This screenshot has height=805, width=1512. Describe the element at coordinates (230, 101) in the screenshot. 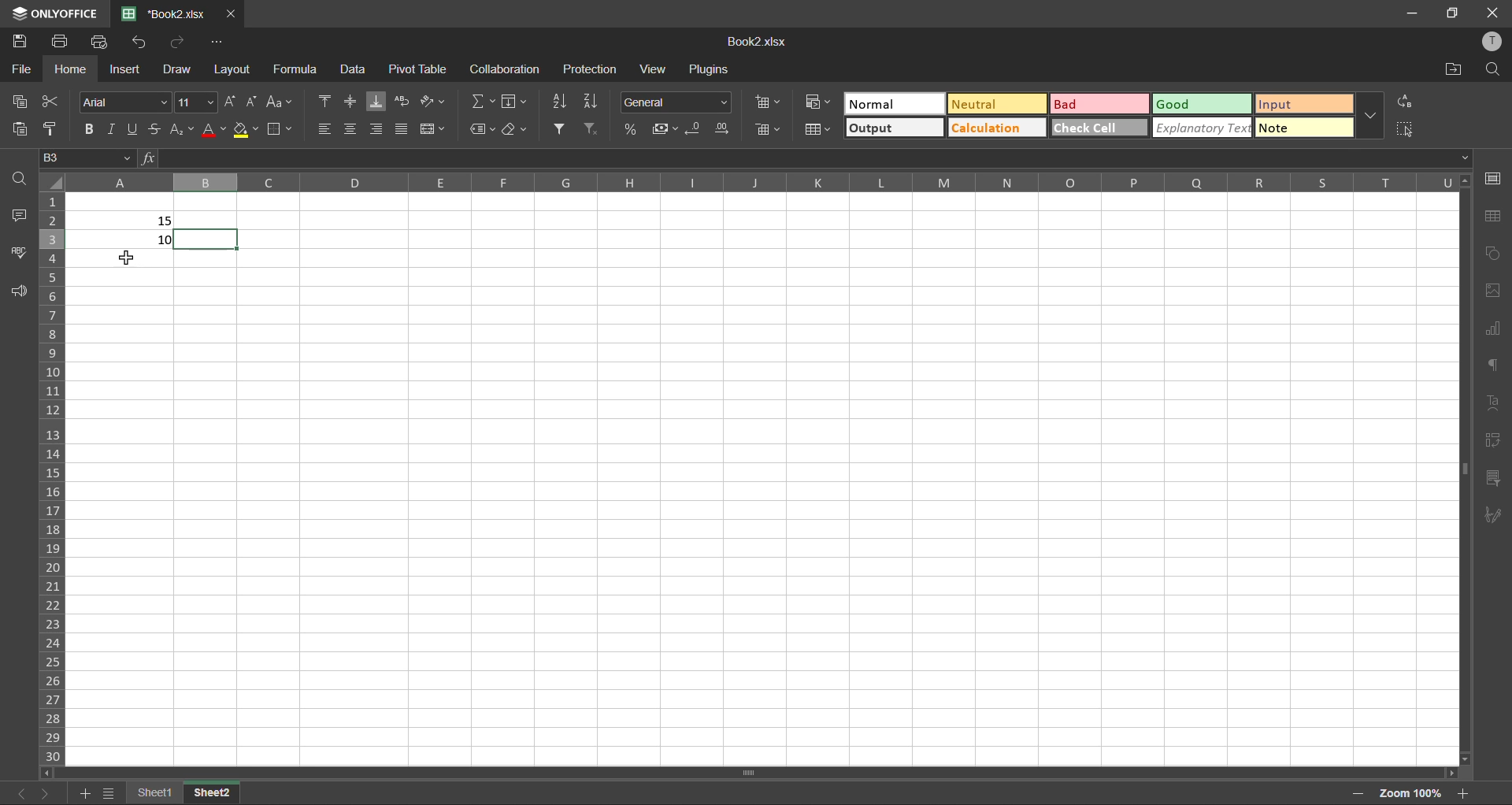

I see `increment size` at that location.